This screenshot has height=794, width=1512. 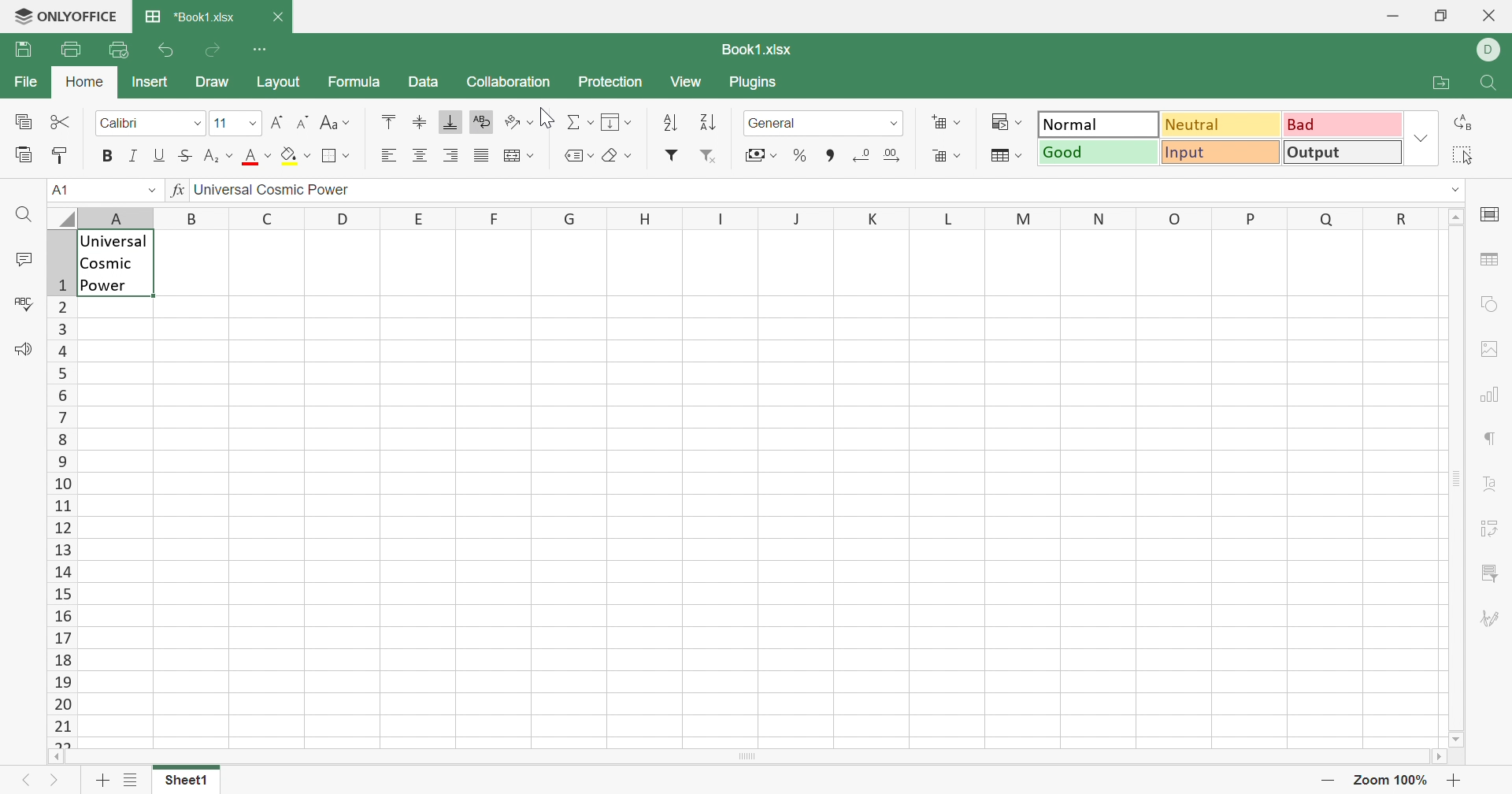 What do you see at coordinates (27, 123) in the screenshot?
I see `Copy` at bounding box center [27, 123].